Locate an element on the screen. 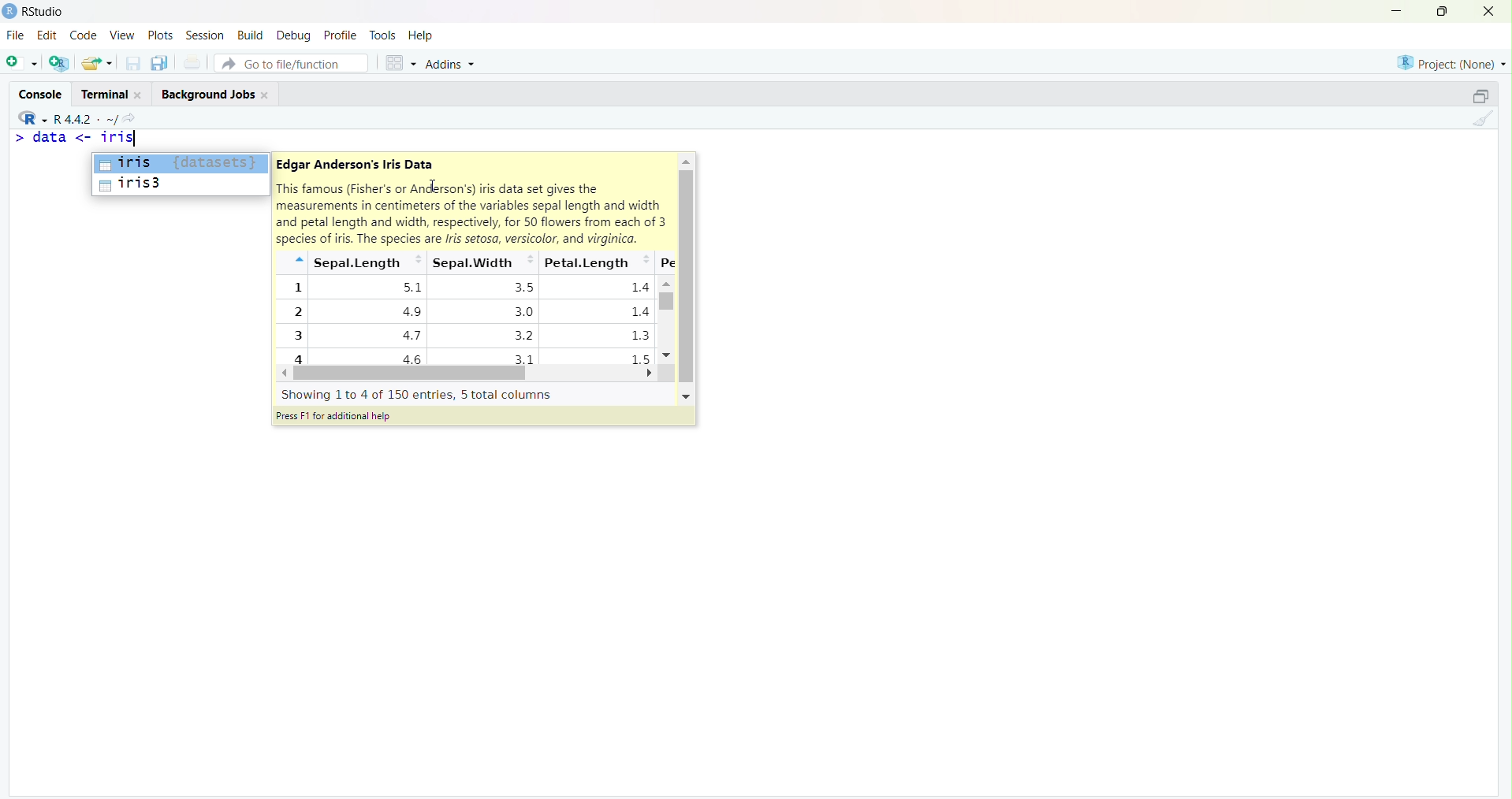 The height and width of the screenshot is (799, 1512). Left is located at coordinates (287, 373).